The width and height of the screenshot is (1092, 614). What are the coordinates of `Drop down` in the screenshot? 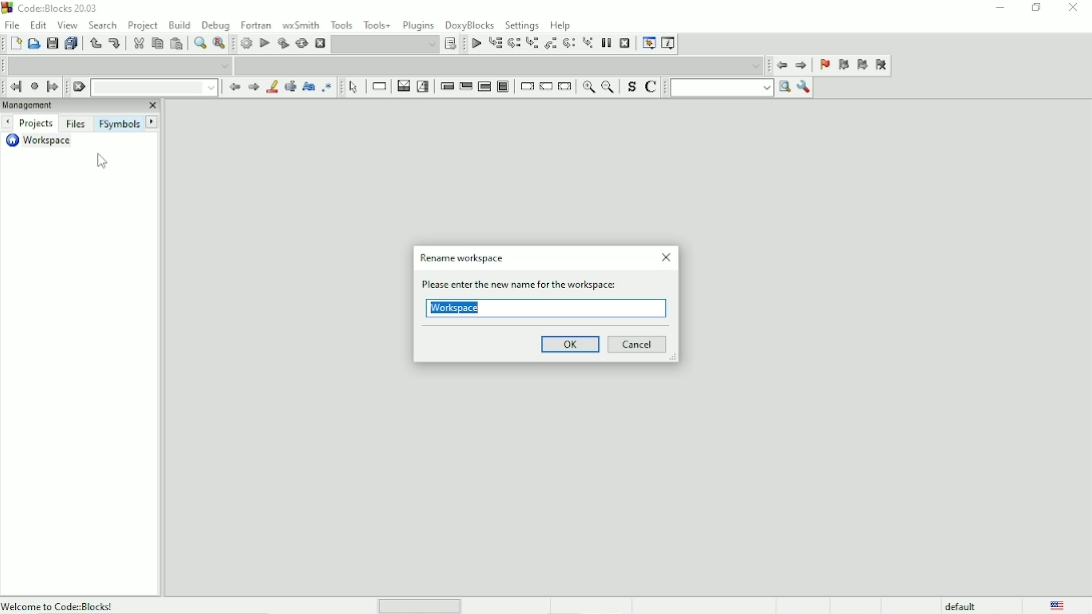 It's located at (501, 65).